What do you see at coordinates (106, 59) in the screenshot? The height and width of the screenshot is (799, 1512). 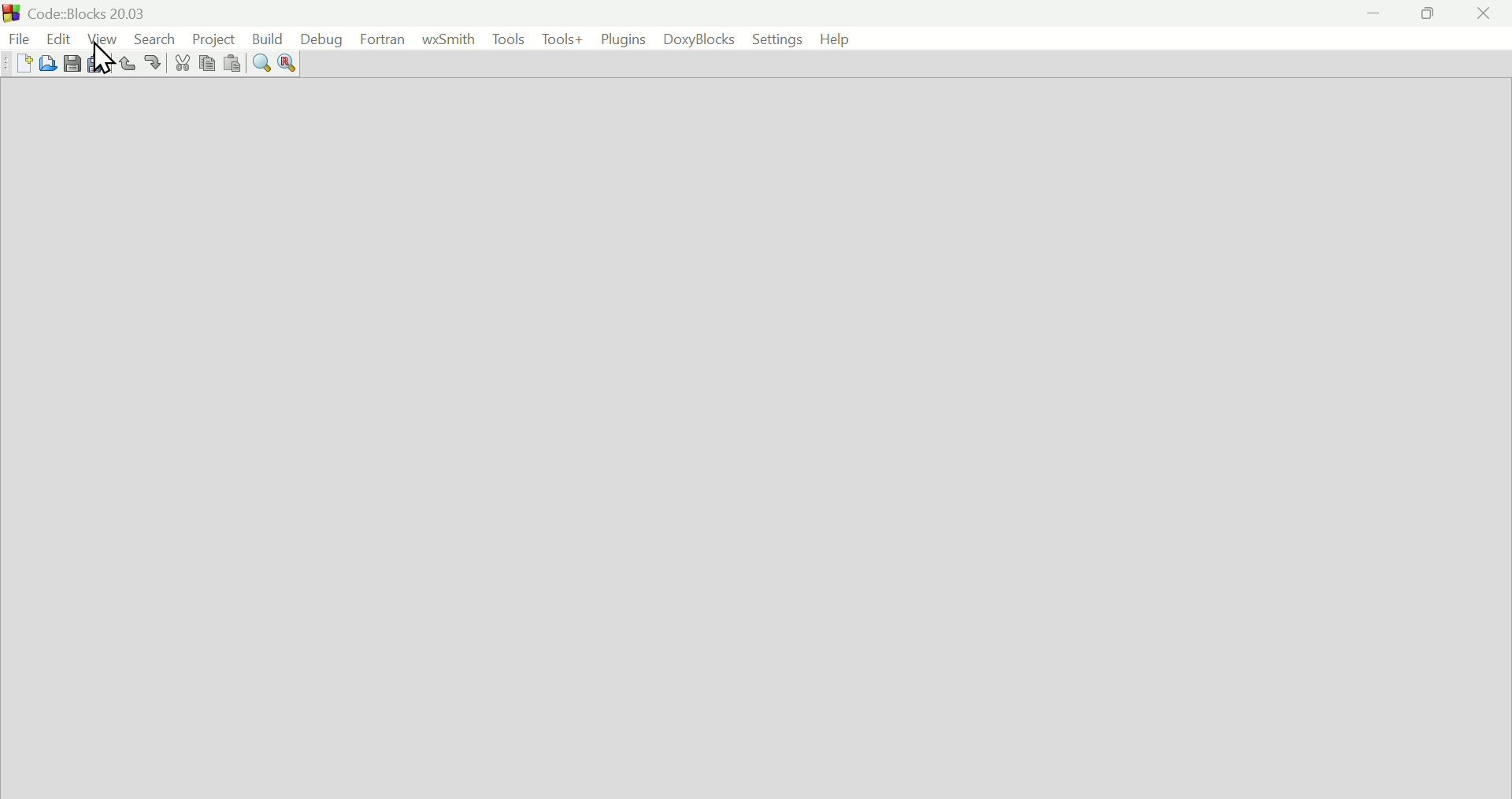 I see `Cursor` at bounding box center [106, 59].